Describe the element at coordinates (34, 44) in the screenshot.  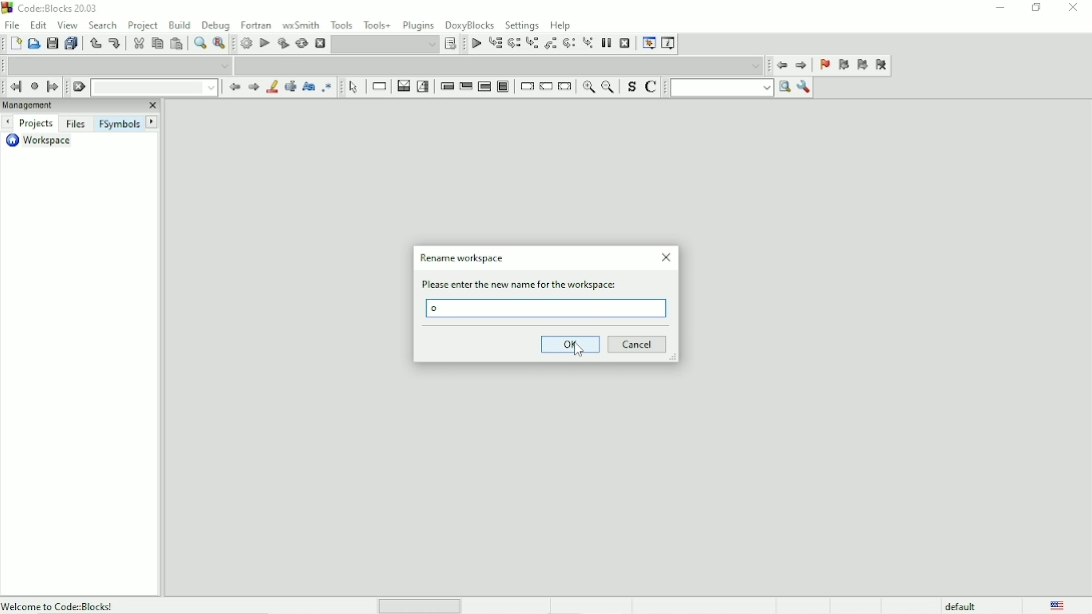
I see `Open` at that location.